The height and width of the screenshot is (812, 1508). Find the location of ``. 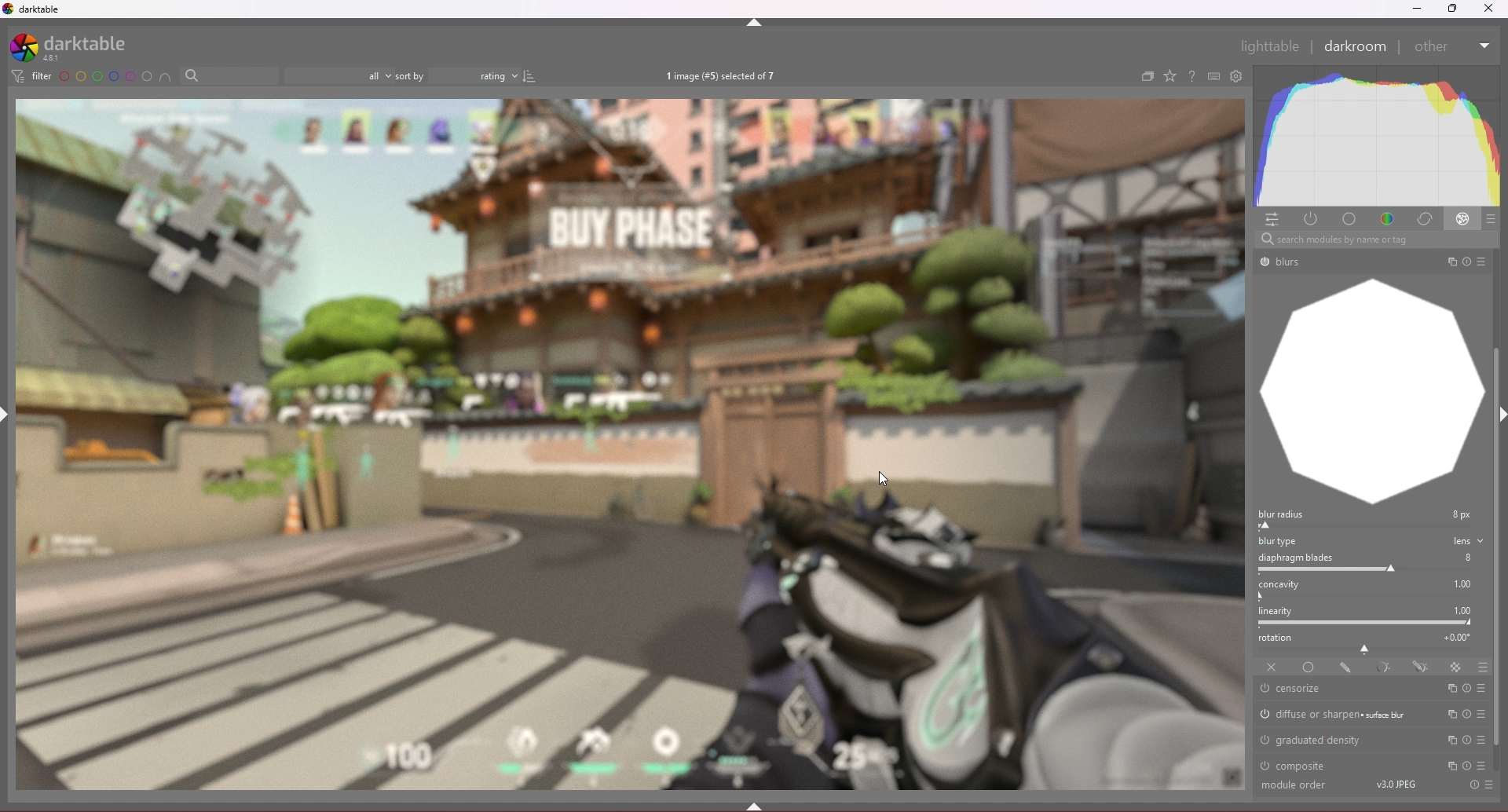

 is located at coordinates (1490, 786).